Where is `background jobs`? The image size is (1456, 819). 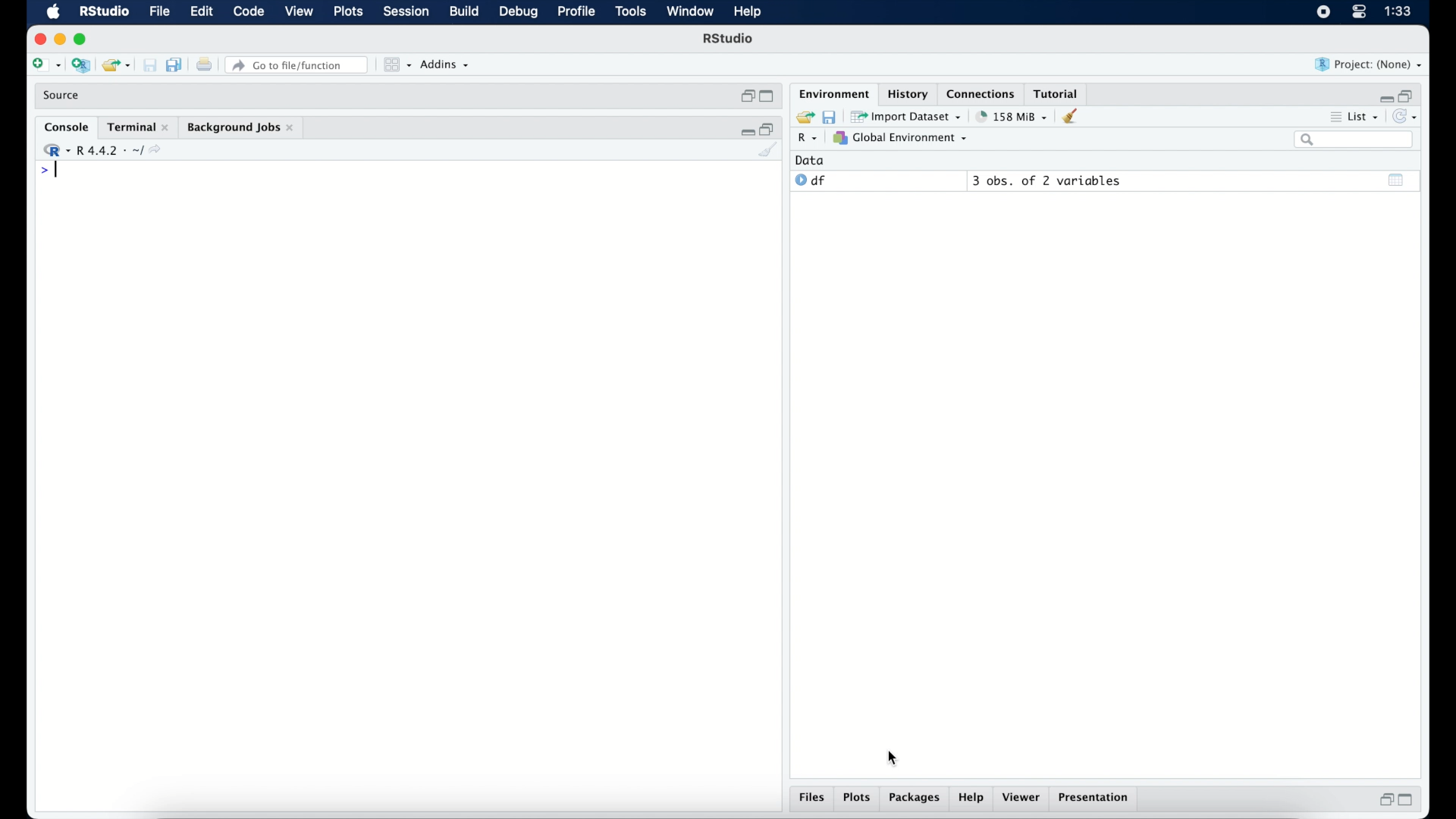 background jobs is located at coordinates (243, 128).